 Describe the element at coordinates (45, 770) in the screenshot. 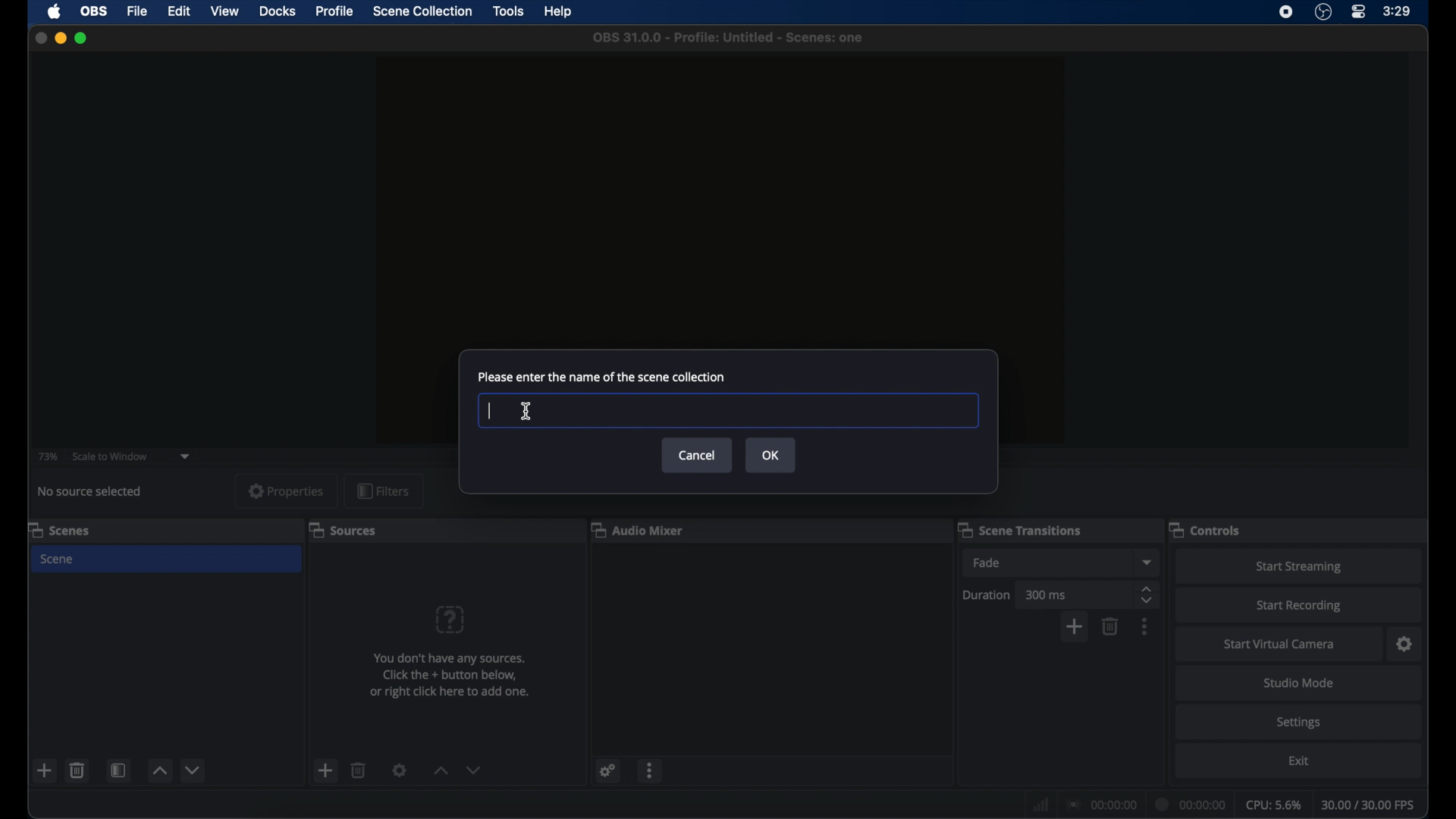

I see `add` at that location.